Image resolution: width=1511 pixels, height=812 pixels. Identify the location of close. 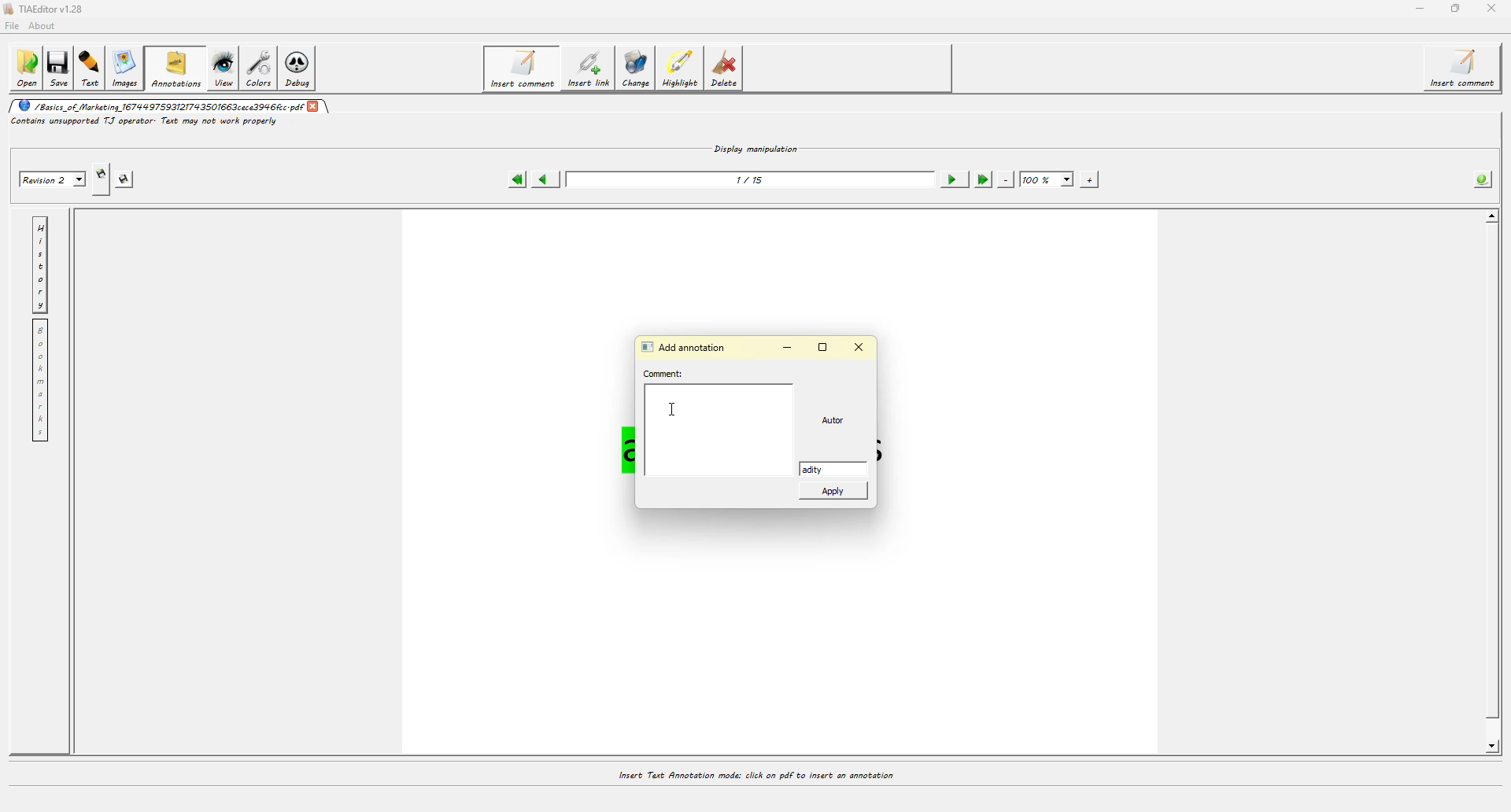
(859, 346).